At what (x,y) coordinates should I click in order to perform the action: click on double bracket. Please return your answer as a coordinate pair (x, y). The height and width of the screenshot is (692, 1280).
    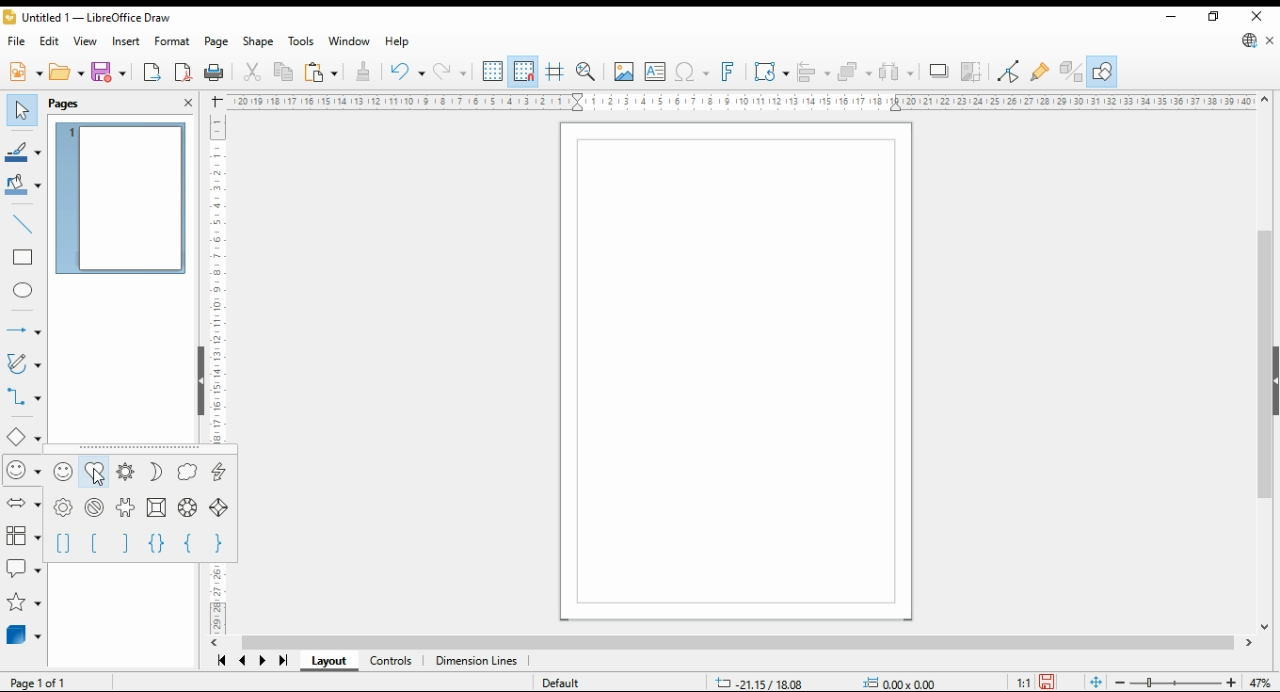
    Looking at the image, I should click on (62, 546).